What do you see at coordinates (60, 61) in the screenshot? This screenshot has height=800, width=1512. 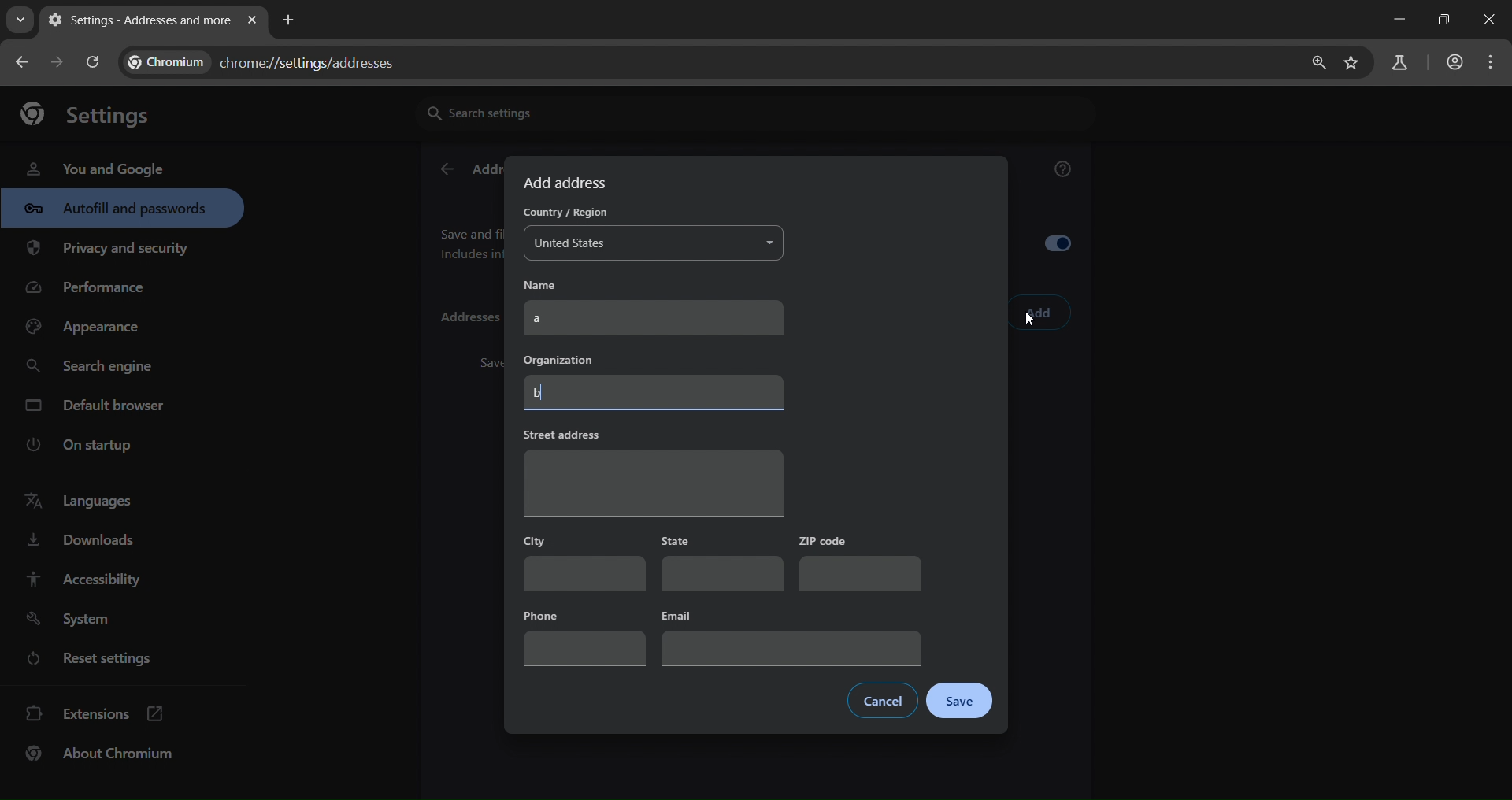 I see `go back one page` at bounding box center [60, 61].